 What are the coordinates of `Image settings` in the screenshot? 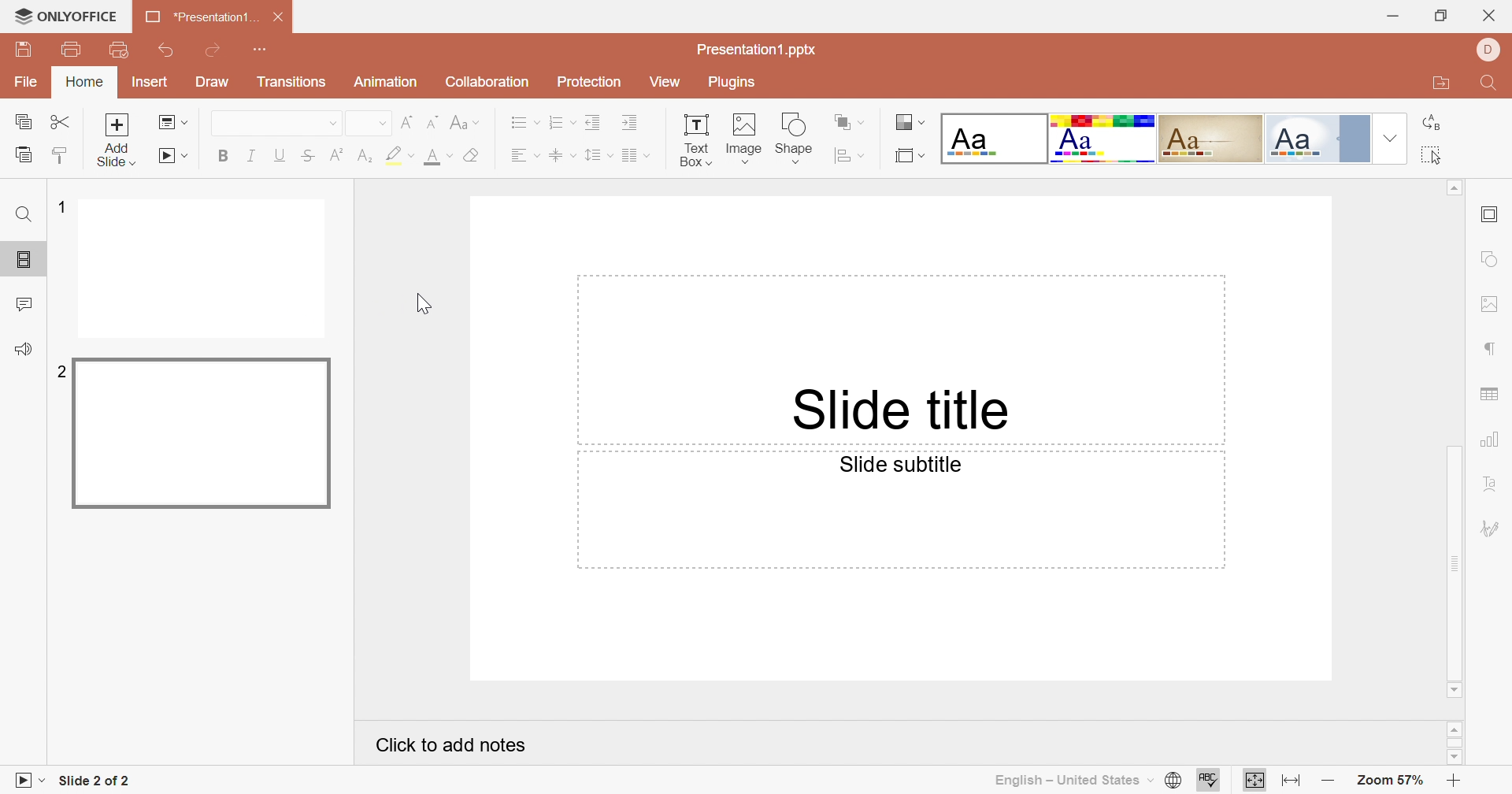 It's located at (1494, 302).